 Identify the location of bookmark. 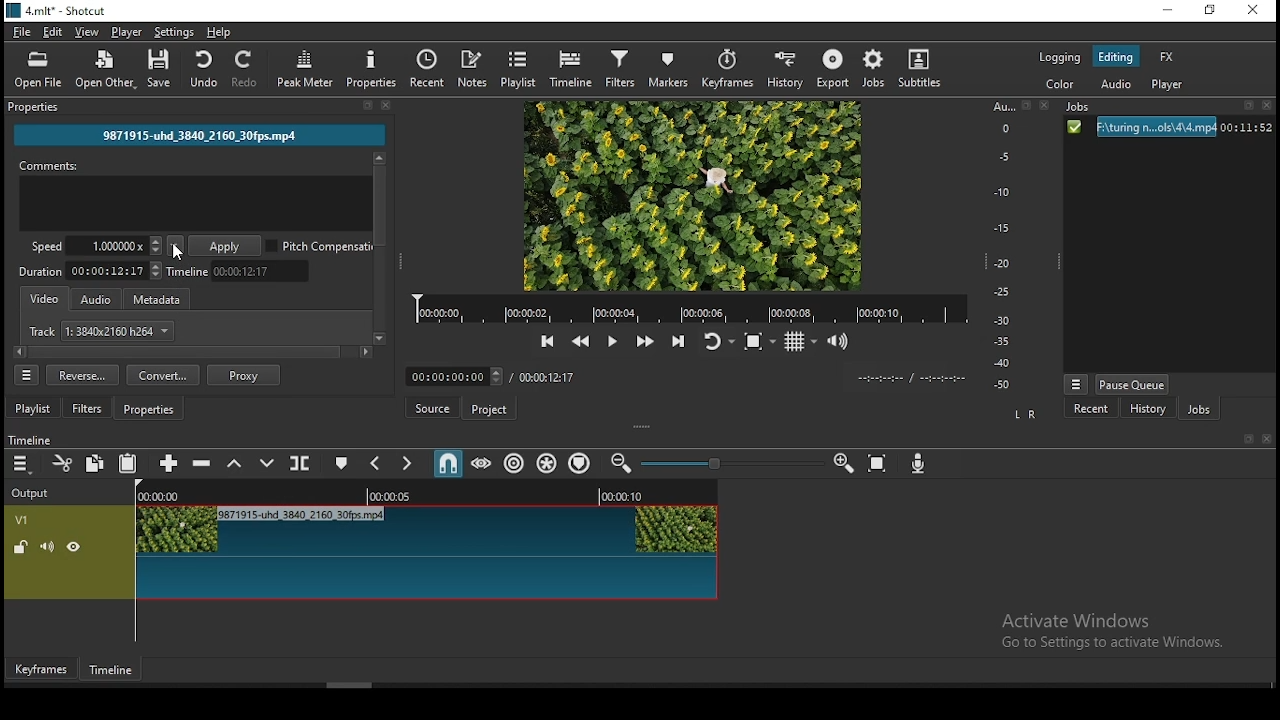
(1245, 439).